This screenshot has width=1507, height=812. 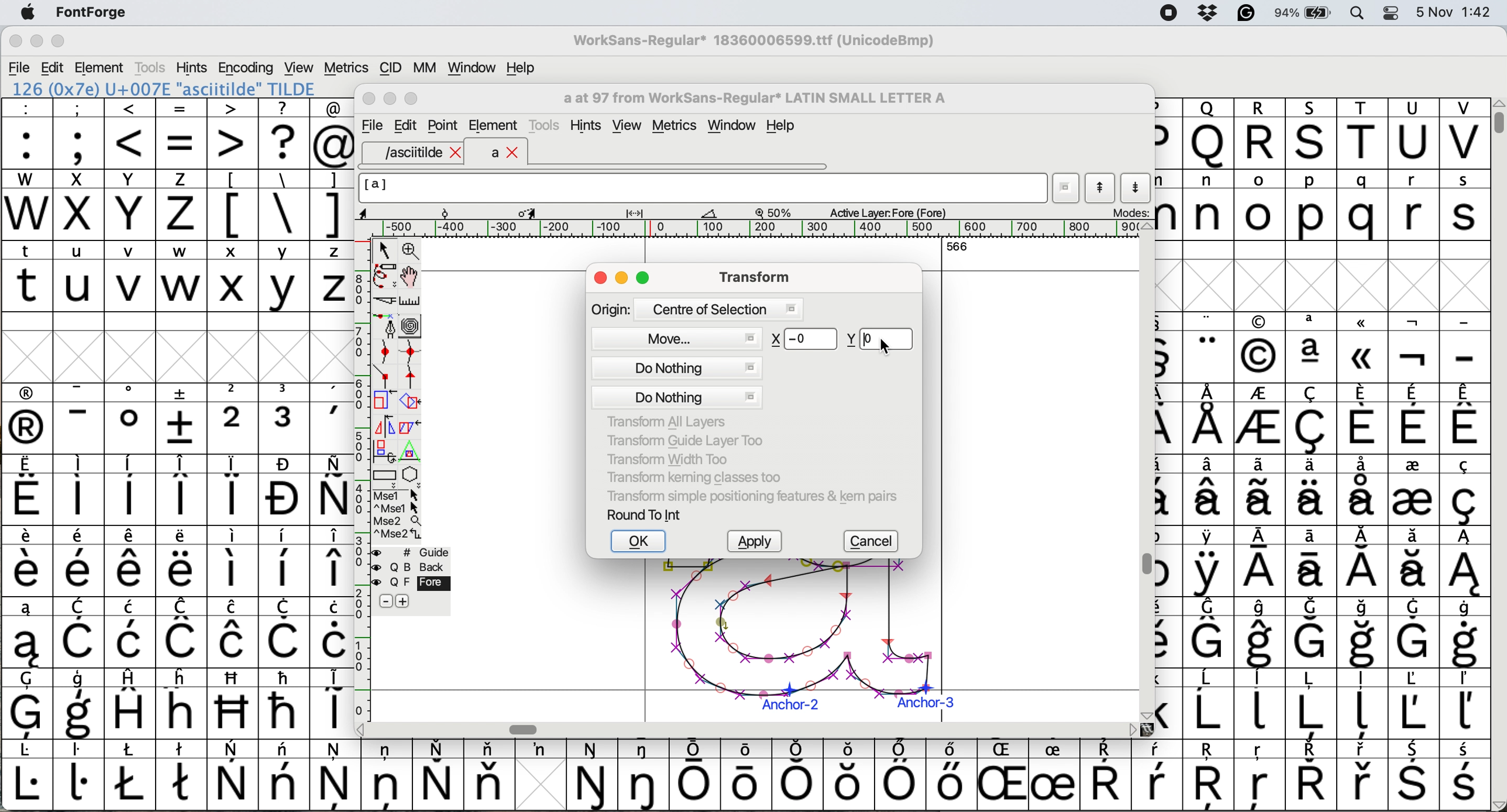 I want to click on cut splines in two, so click(x=386, y=302).